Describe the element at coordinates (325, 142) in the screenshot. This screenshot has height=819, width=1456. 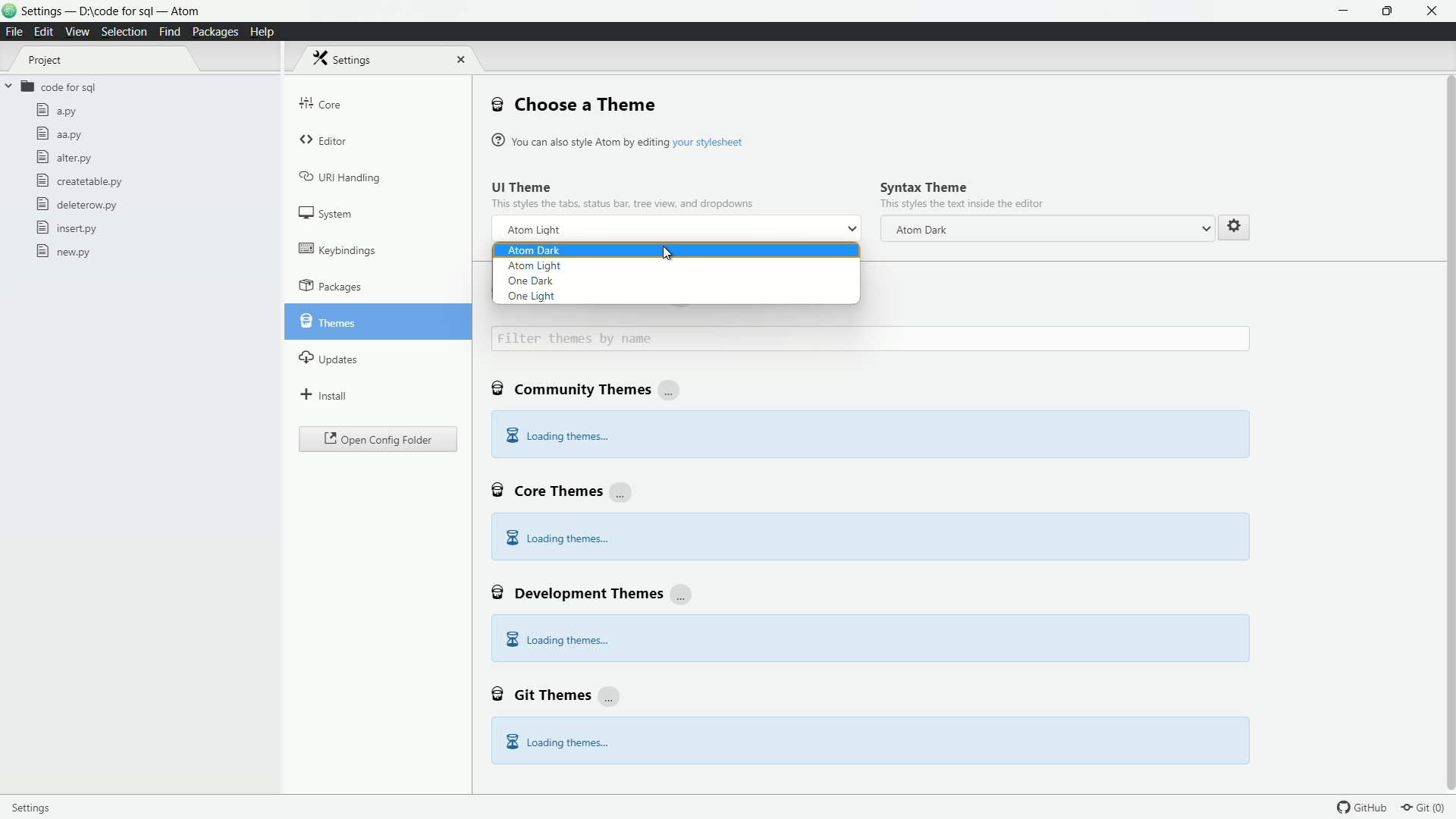
I see `editor` at that location.